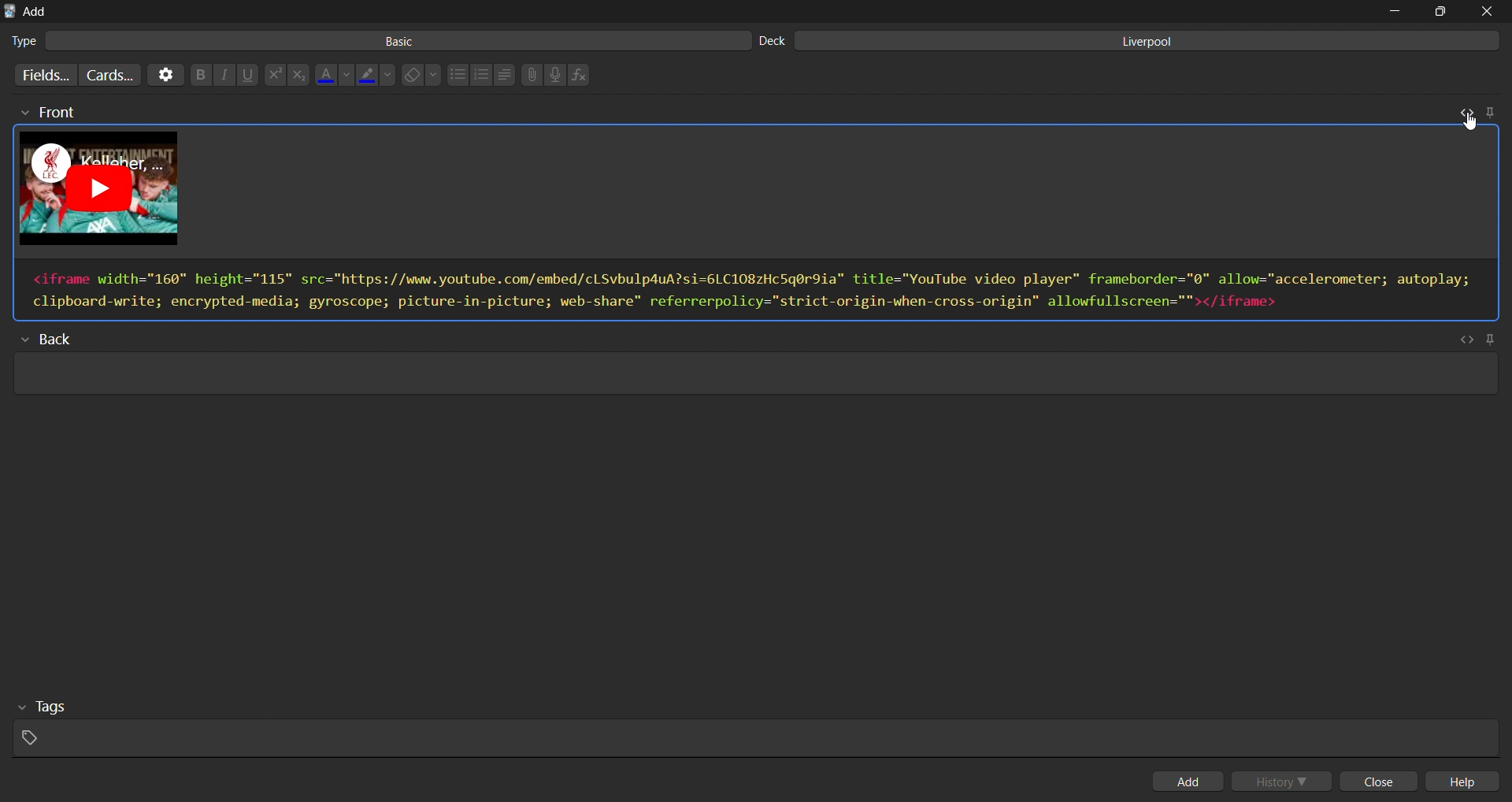 Image resolution: width=1512 pixels, height=802 pixels. Describe the element at coordinates (1493, 337) in the screenshot. I see `pin` at that location.